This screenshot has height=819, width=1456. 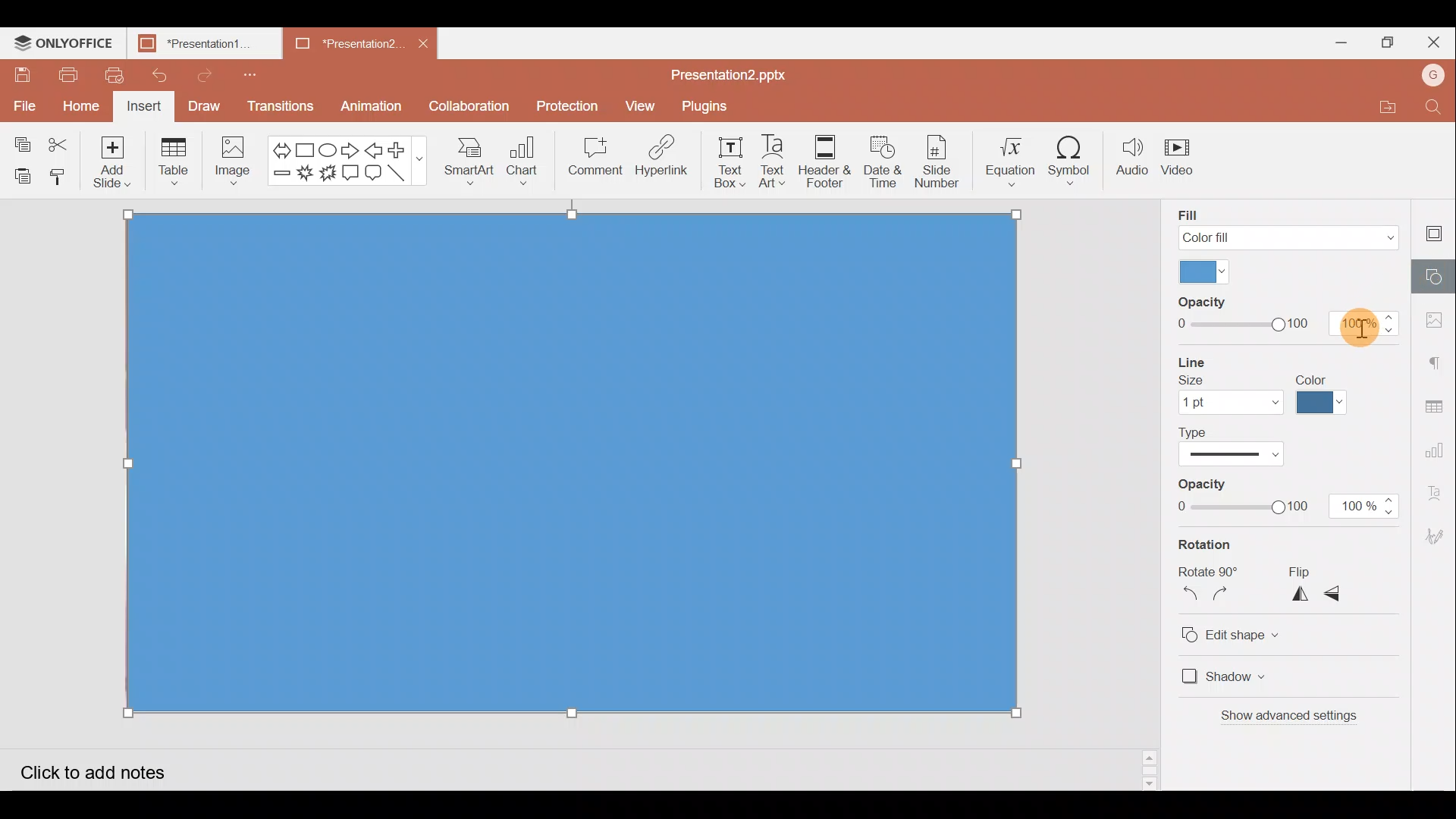 What do you see at coordinates (375, 174) in the screenshot?
I see `Rounded Rectangular callout` at bounding box center [375, 174].